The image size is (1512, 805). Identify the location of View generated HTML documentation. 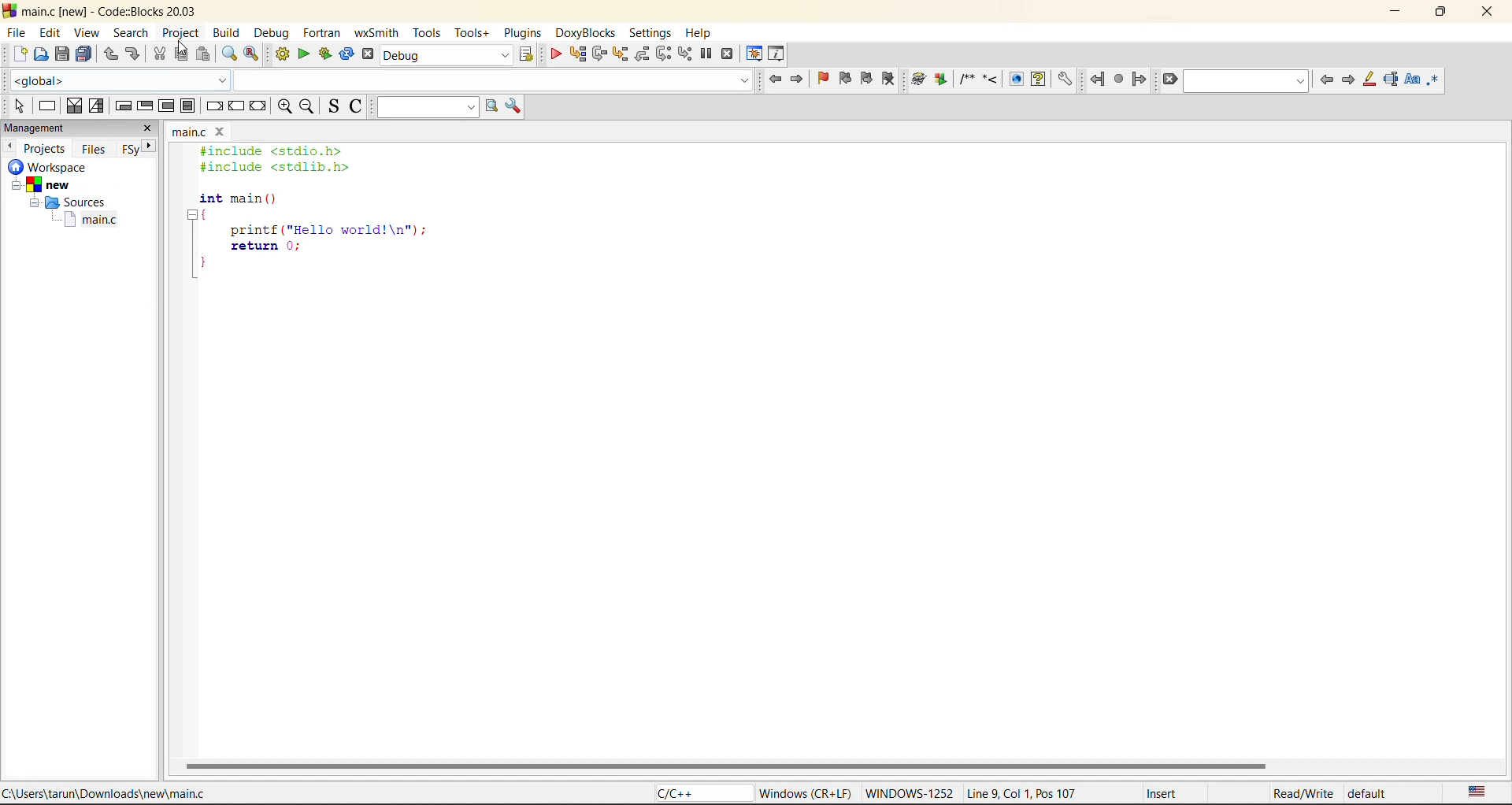
(1016, 79).